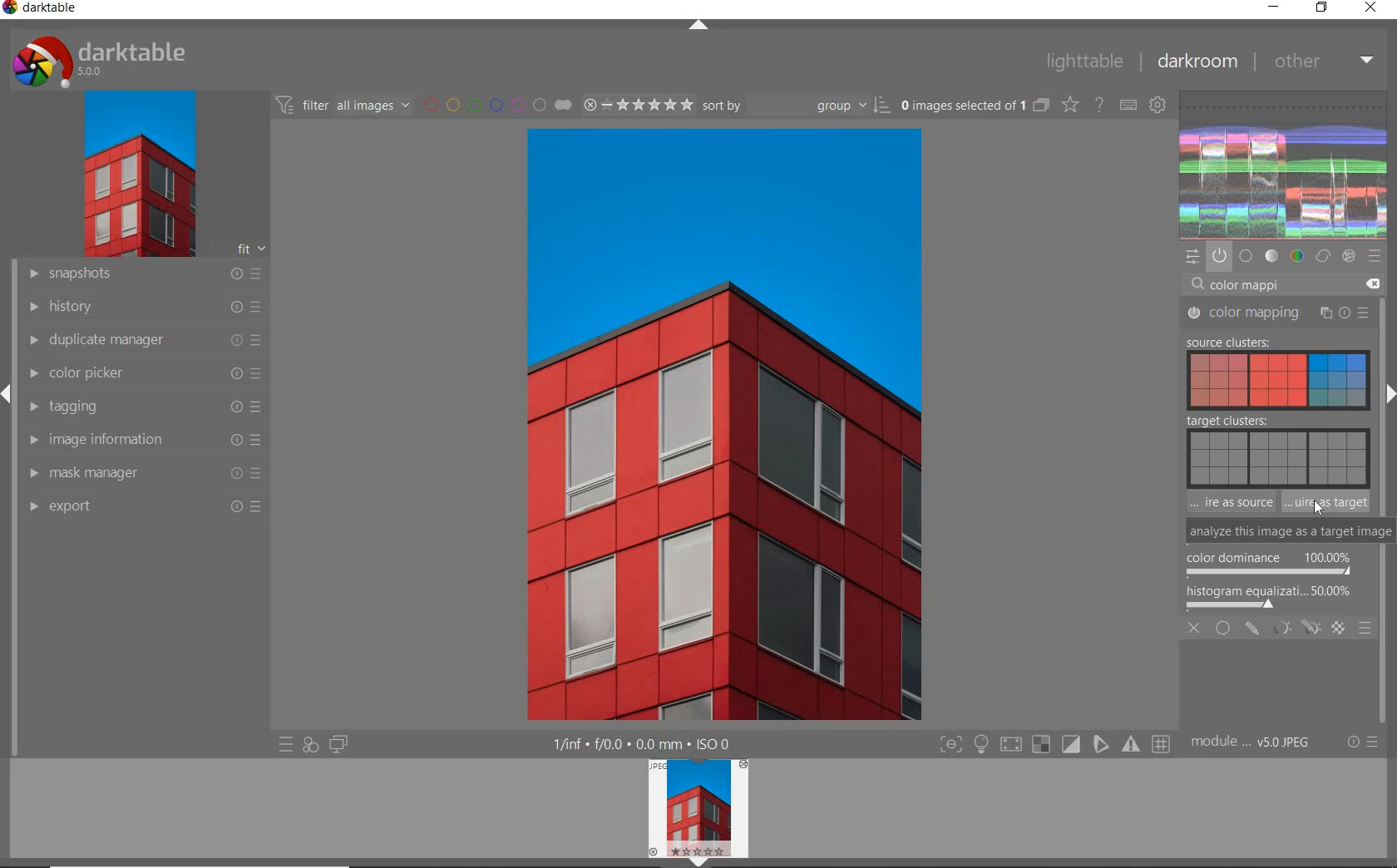 Image resolution: width=1397 pixels, height=868 pixels. I want to click on sort, so click(796, 104).